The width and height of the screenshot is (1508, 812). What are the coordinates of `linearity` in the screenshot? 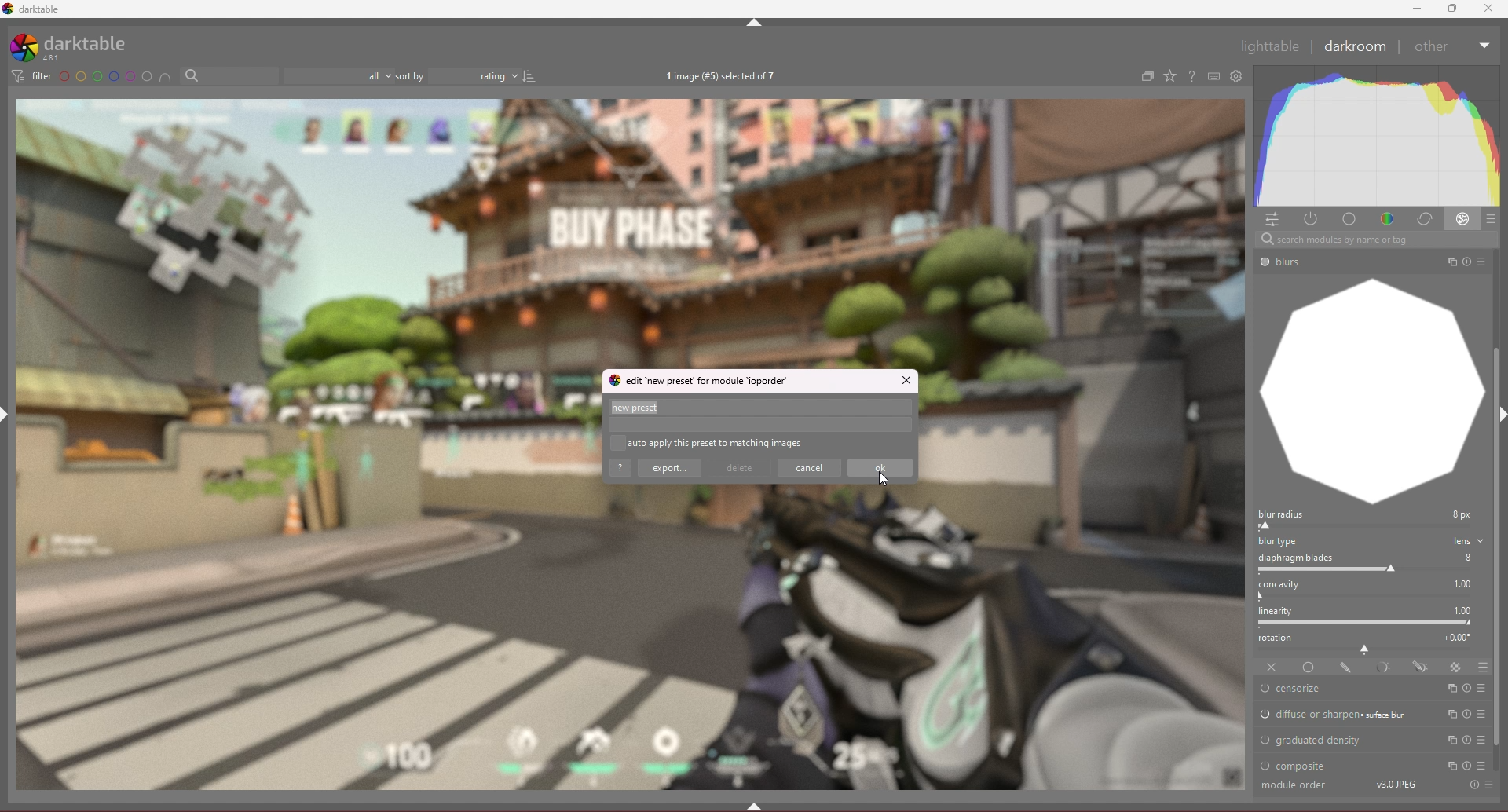 It's located at (1371, 616).